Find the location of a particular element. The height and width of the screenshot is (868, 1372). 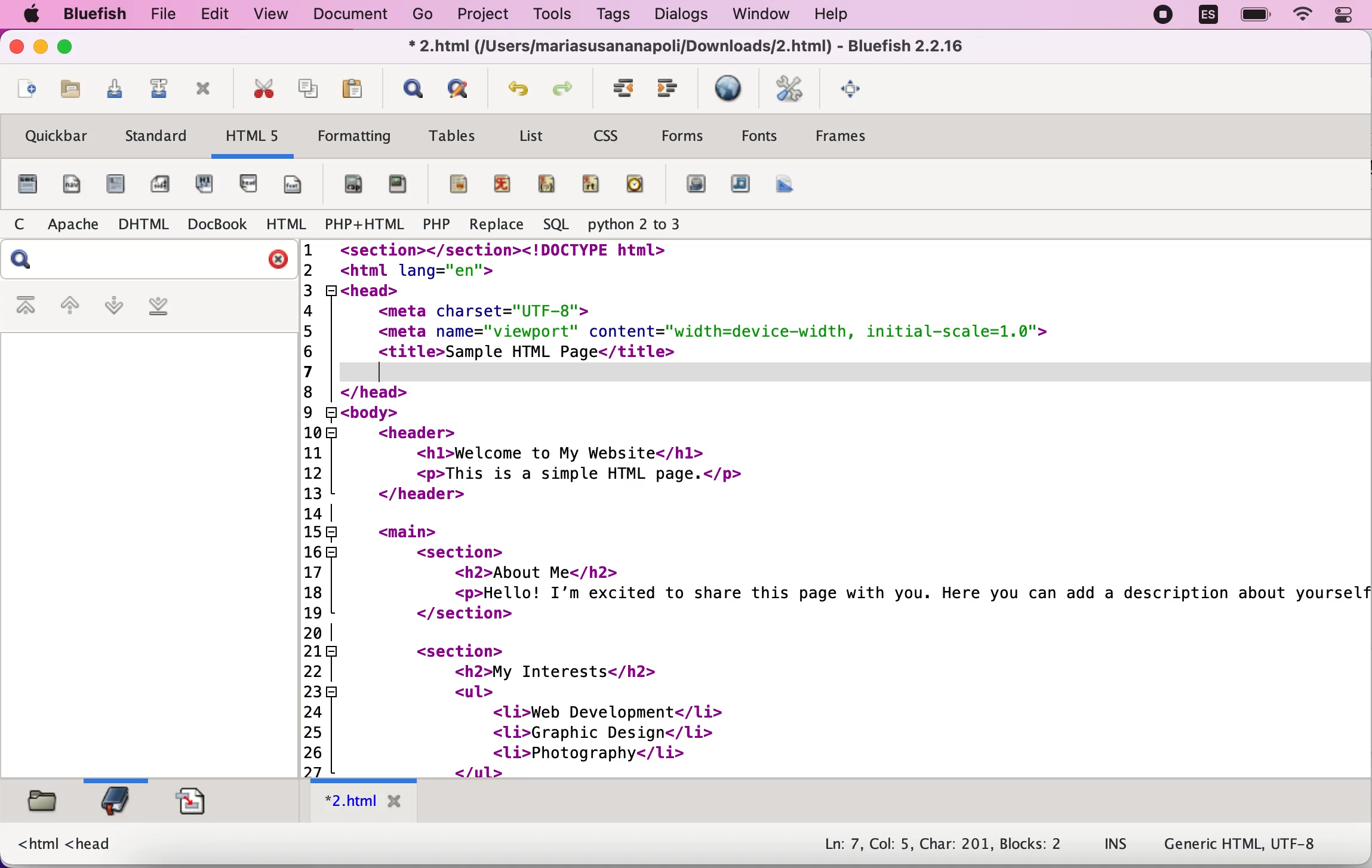

file is located at coordinates (167, 15).